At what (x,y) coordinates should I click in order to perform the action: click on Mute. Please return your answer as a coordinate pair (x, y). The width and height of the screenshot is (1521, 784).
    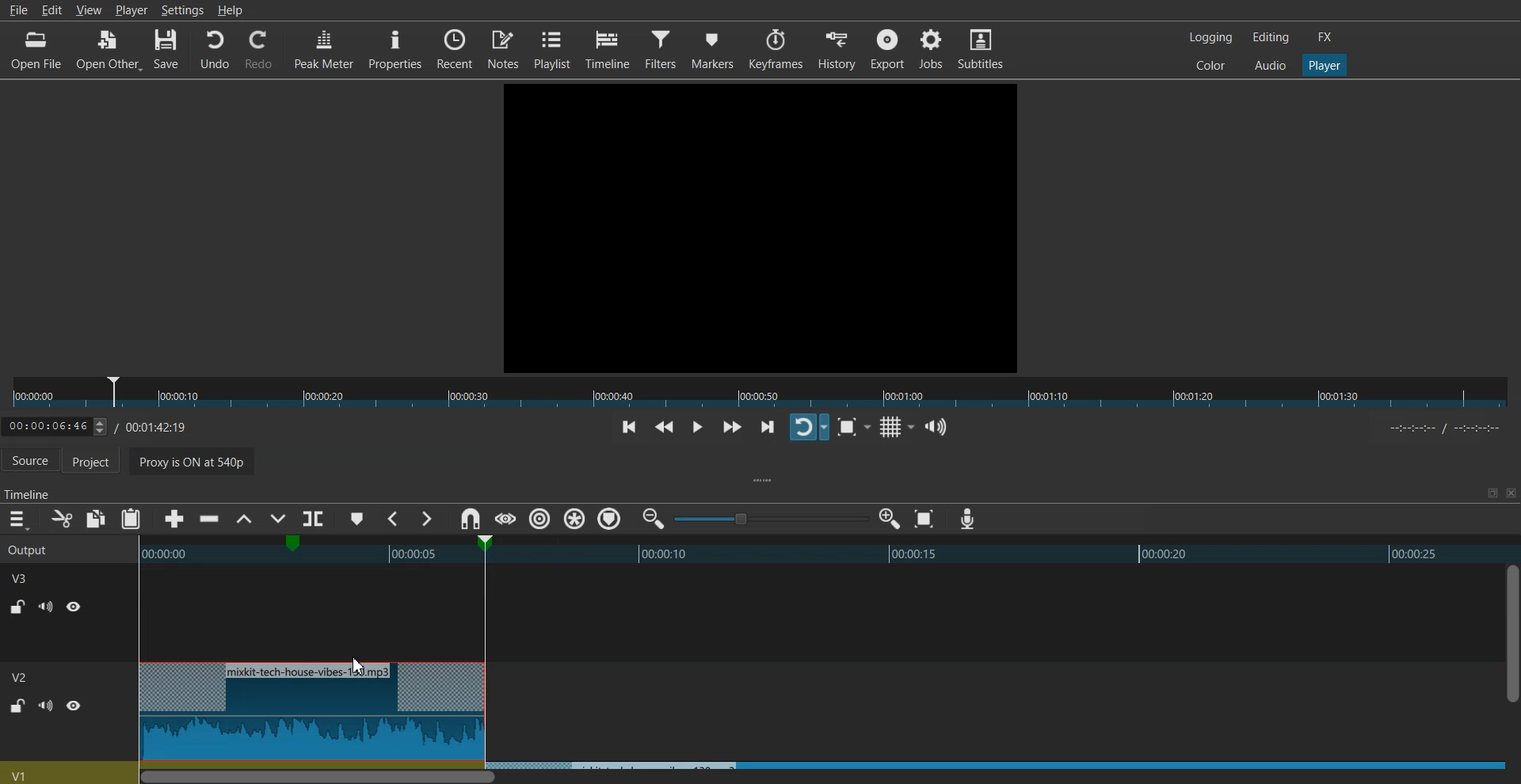
    Looking at the image, I should click on (46, 705).